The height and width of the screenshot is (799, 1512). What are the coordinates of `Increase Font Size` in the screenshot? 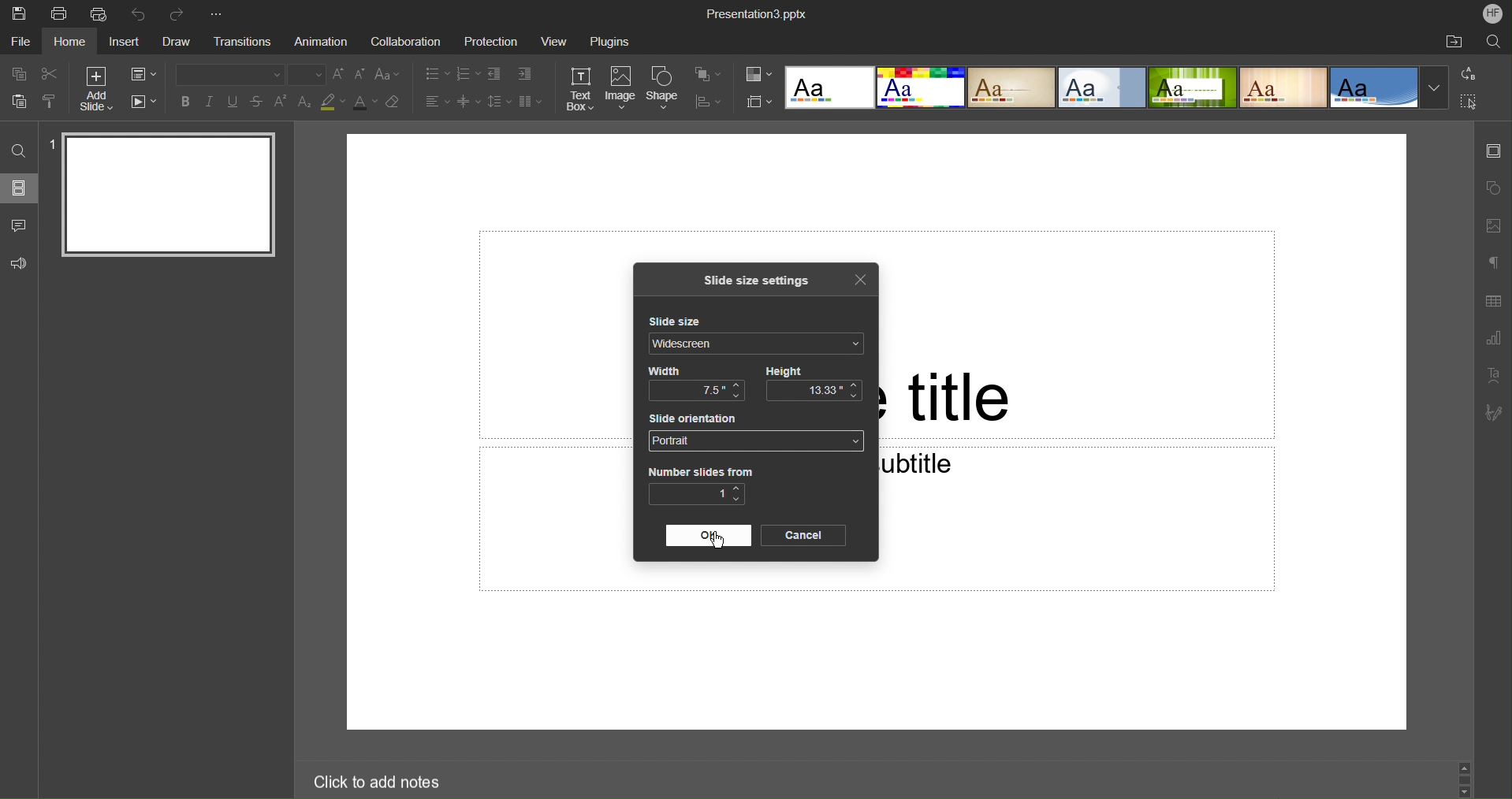 It's located at (340, 75).